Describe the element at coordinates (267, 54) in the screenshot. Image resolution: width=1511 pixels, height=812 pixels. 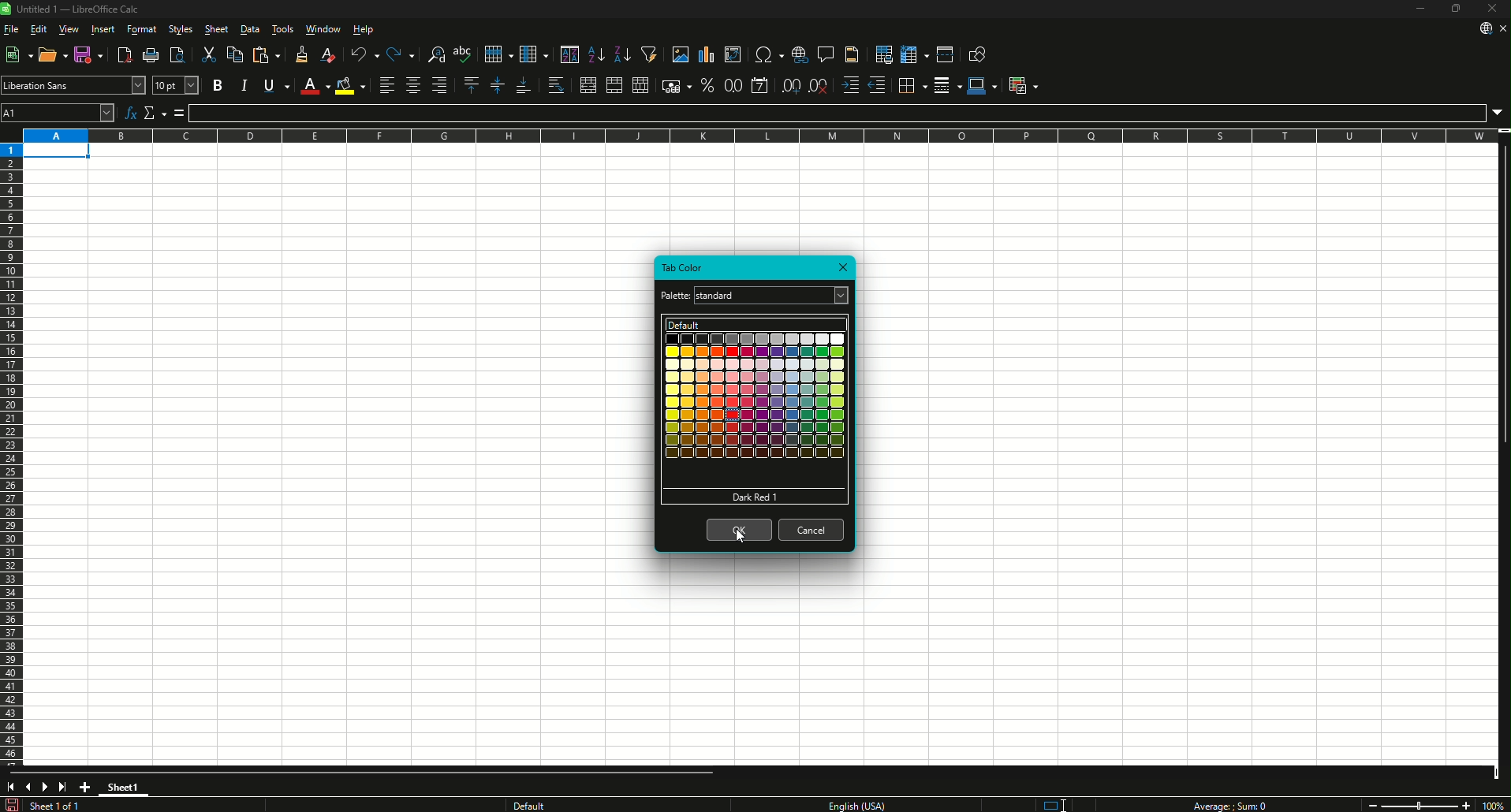
I see `Paste` at that location.